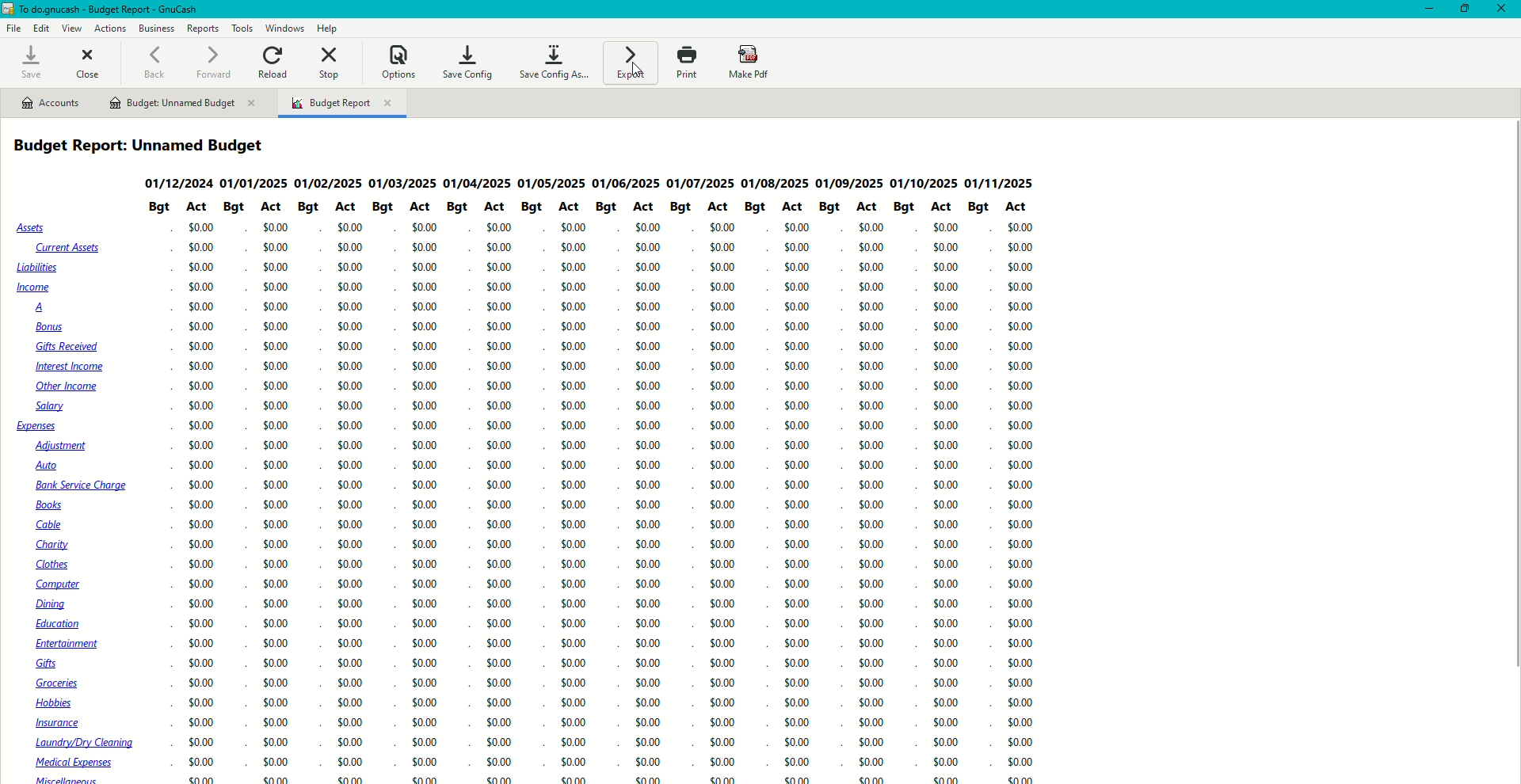 The image size is (1521, 784). I want to click on $0.00, so click(576, 466).